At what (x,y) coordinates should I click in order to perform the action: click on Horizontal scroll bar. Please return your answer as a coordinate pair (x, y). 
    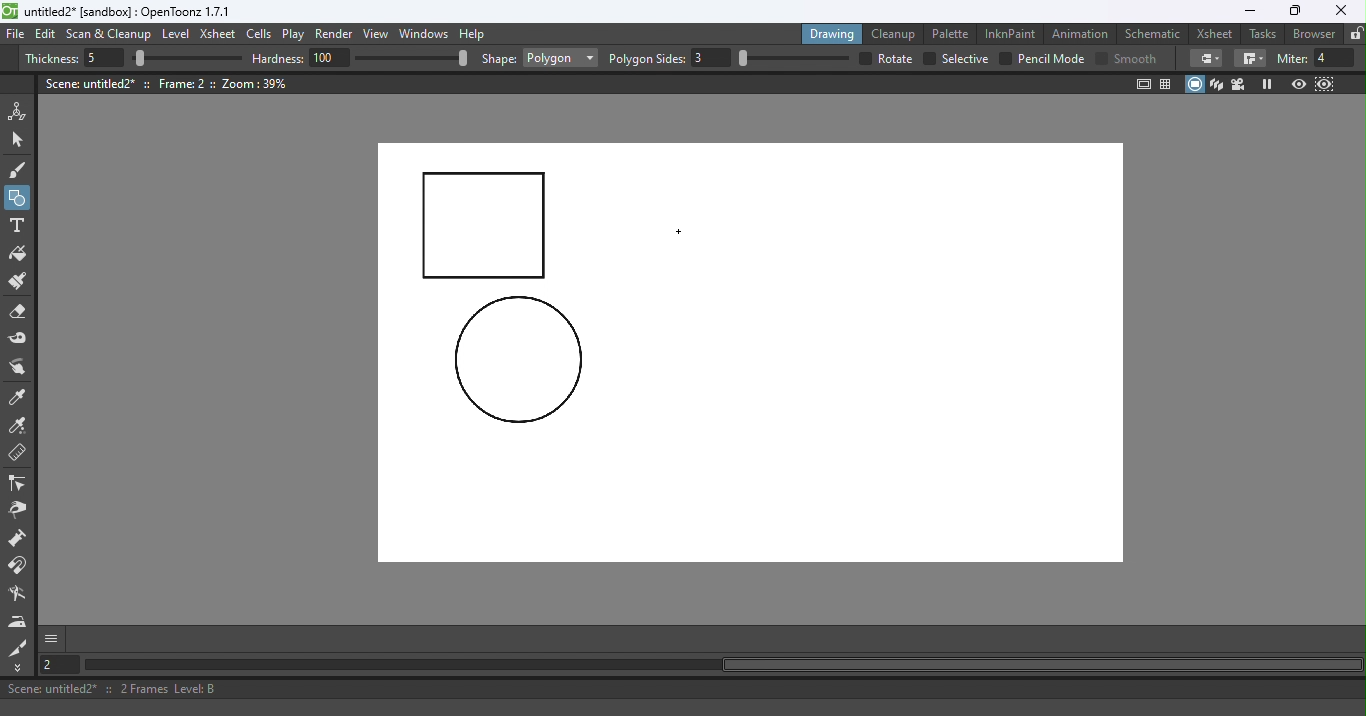
    Looking at the image, I should click on (722, 665).